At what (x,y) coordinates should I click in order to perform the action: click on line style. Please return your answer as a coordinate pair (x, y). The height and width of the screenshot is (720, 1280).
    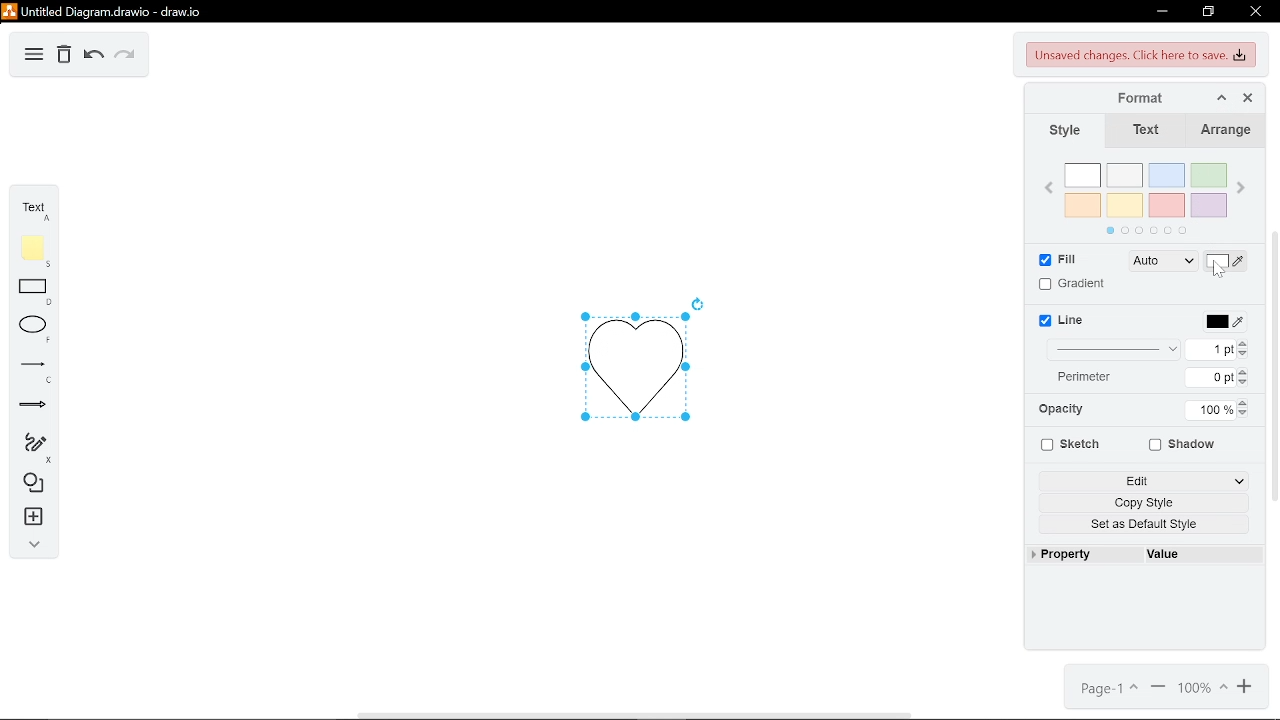
    Looking at the image, I should click on (1116, 349).